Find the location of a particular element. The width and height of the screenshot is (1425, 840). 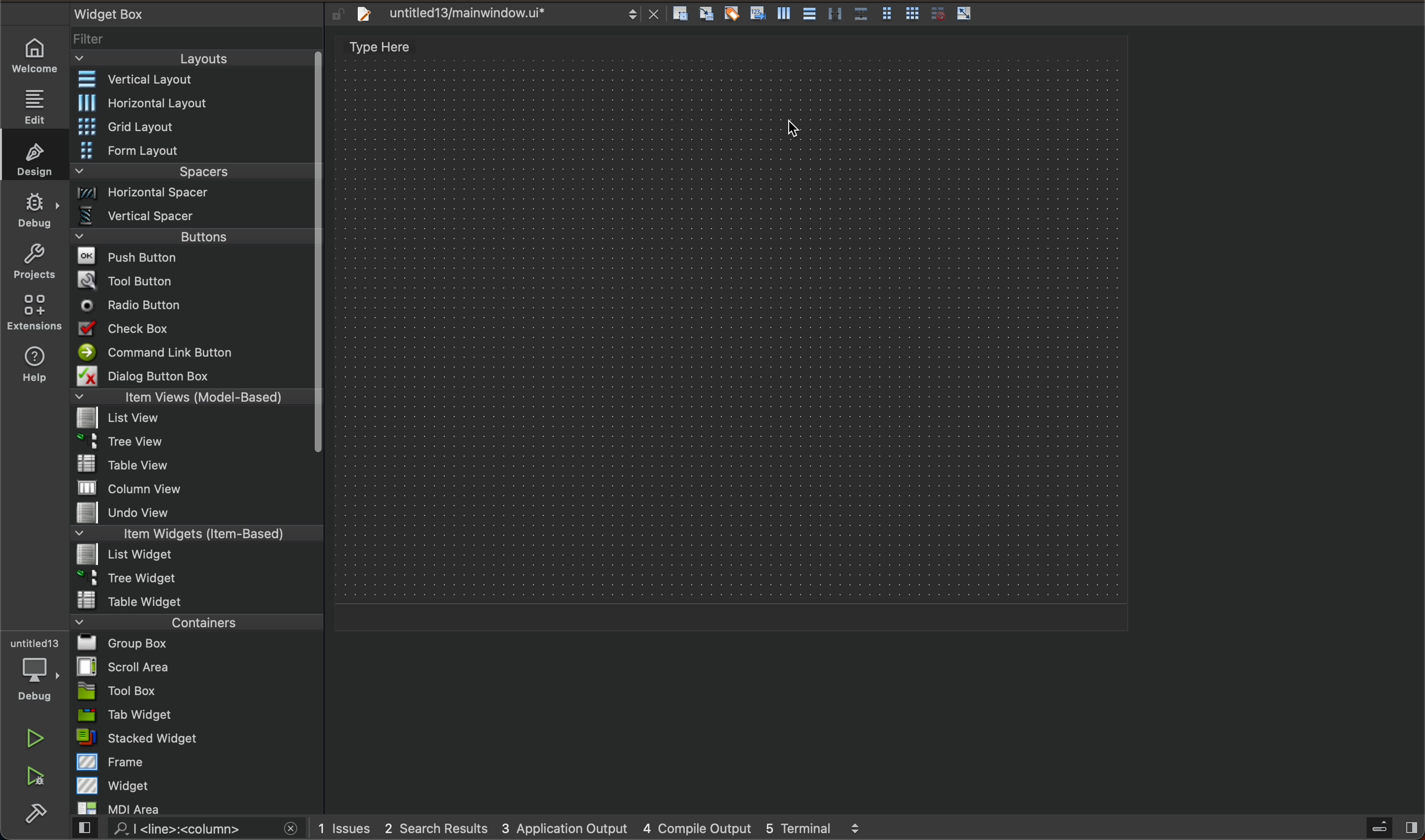

list view is located at coordinates (191, 419).